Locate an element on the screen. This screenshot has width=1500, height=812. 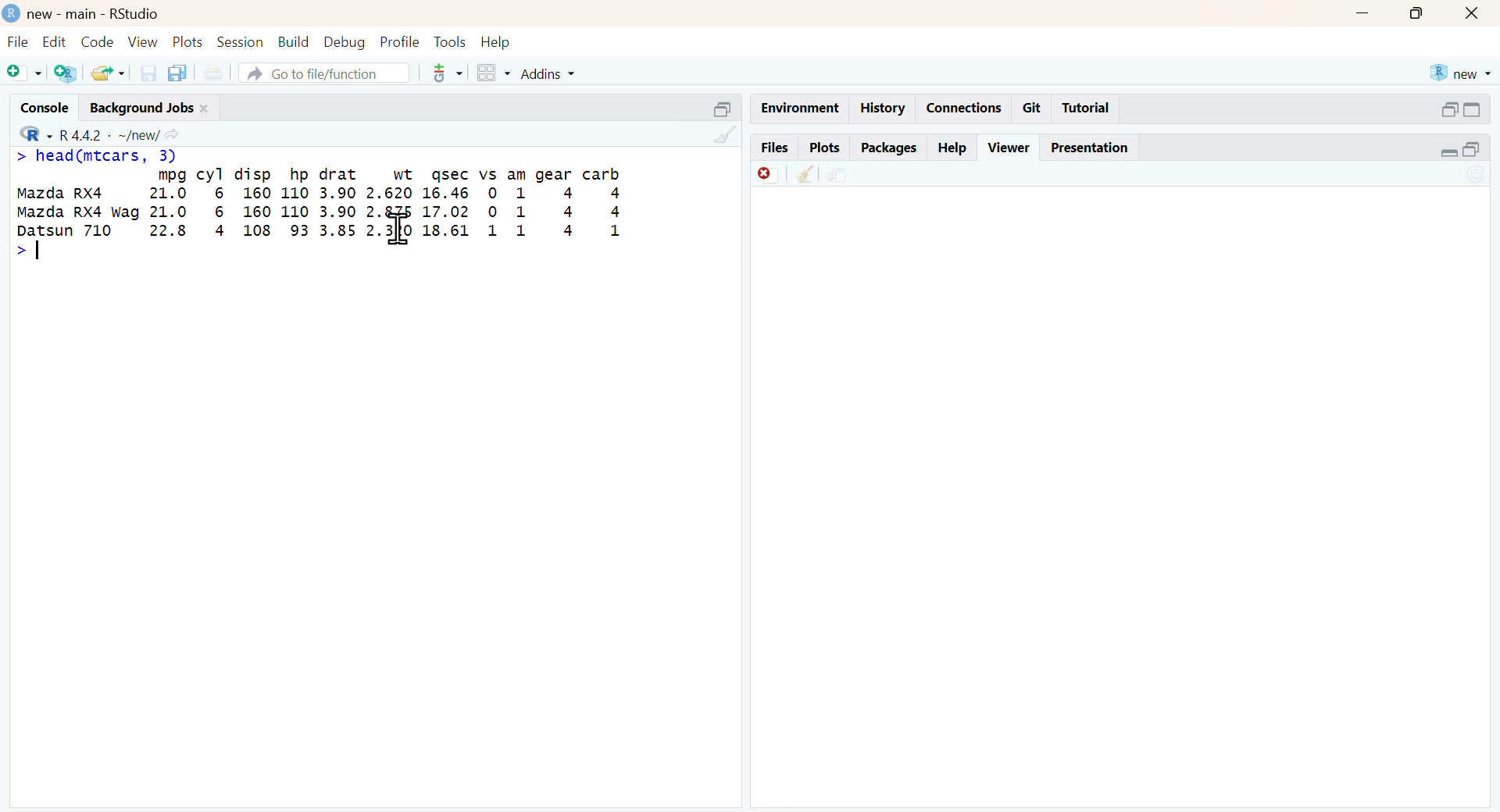
Print documents is located at coordinates (217, 69).